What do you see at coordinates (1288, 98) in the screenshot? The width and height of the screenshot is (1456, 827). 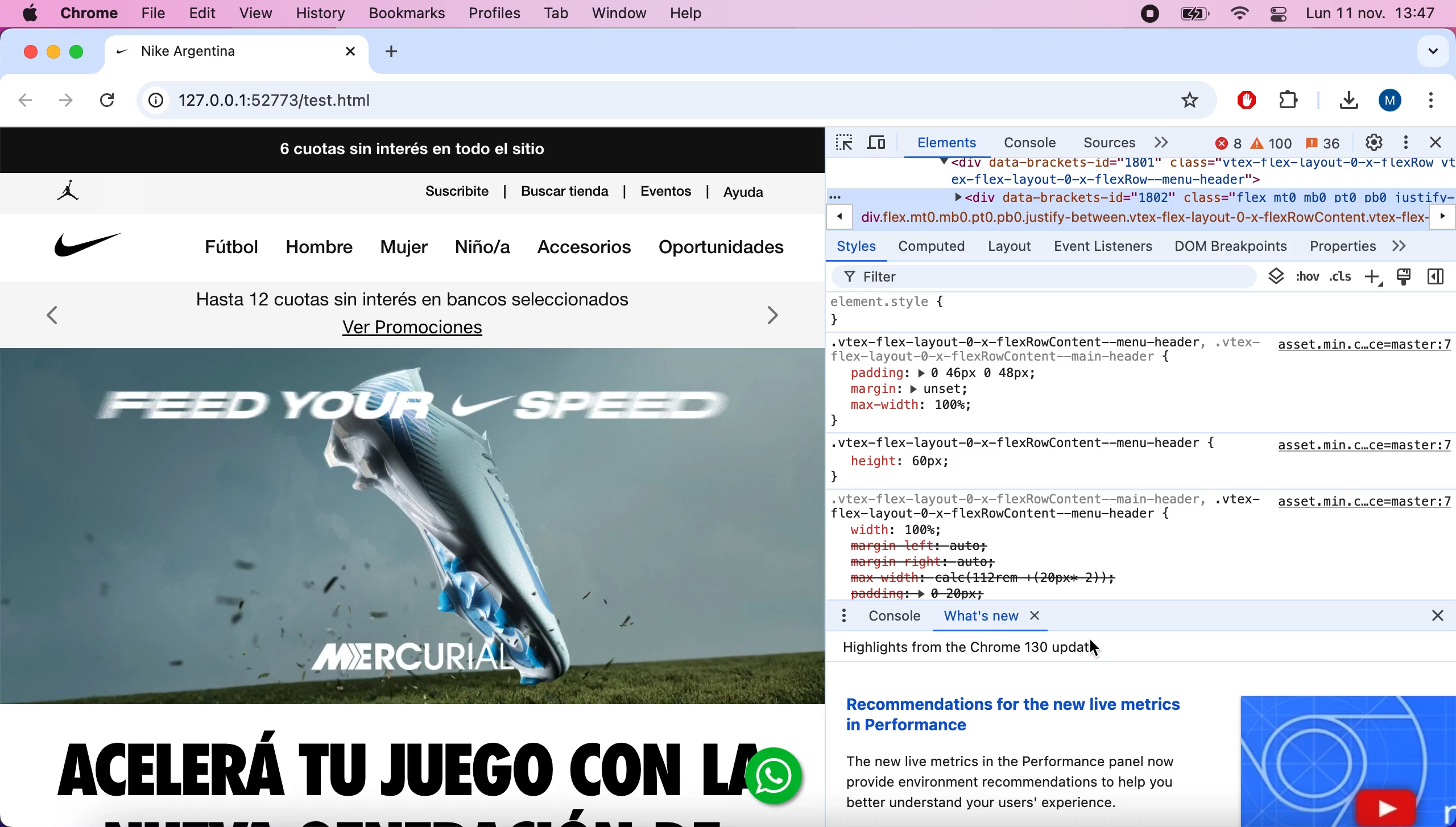 I see `file` at bounding box center [1288, 98].